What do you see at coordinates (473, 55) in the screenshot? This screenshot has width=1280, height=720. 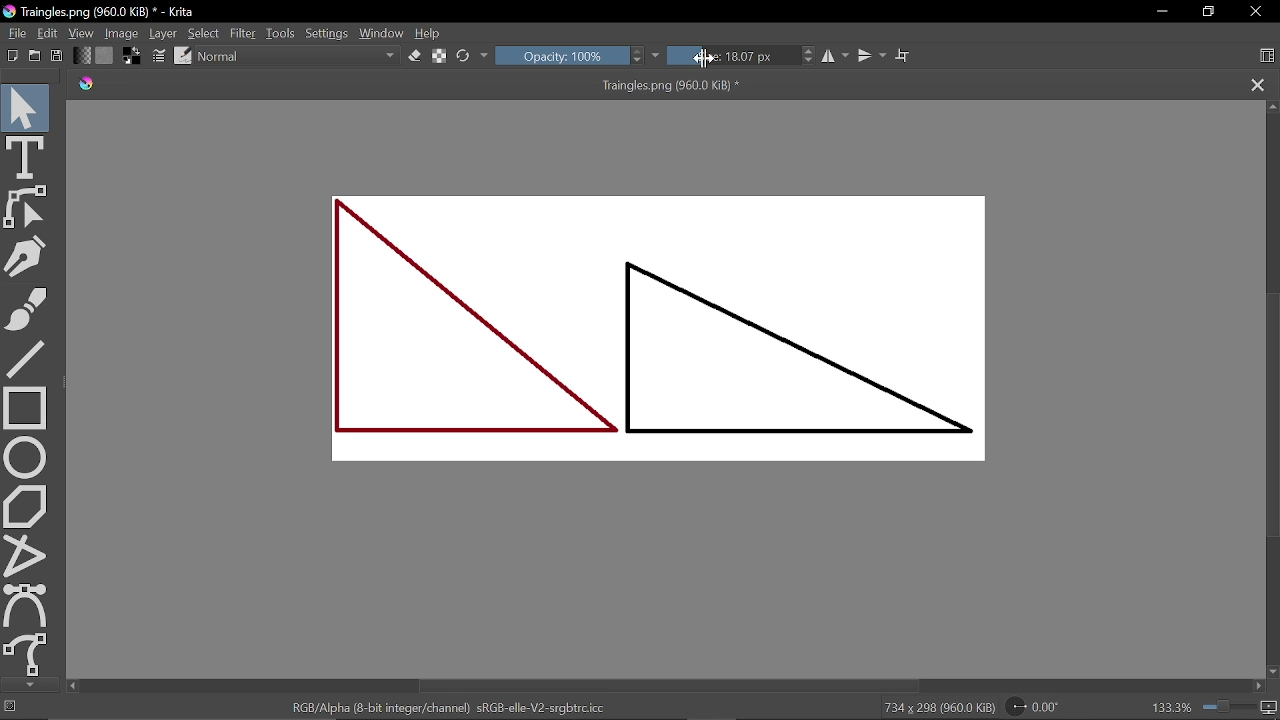 I see `Refresh` at bounding box center [473, 55].